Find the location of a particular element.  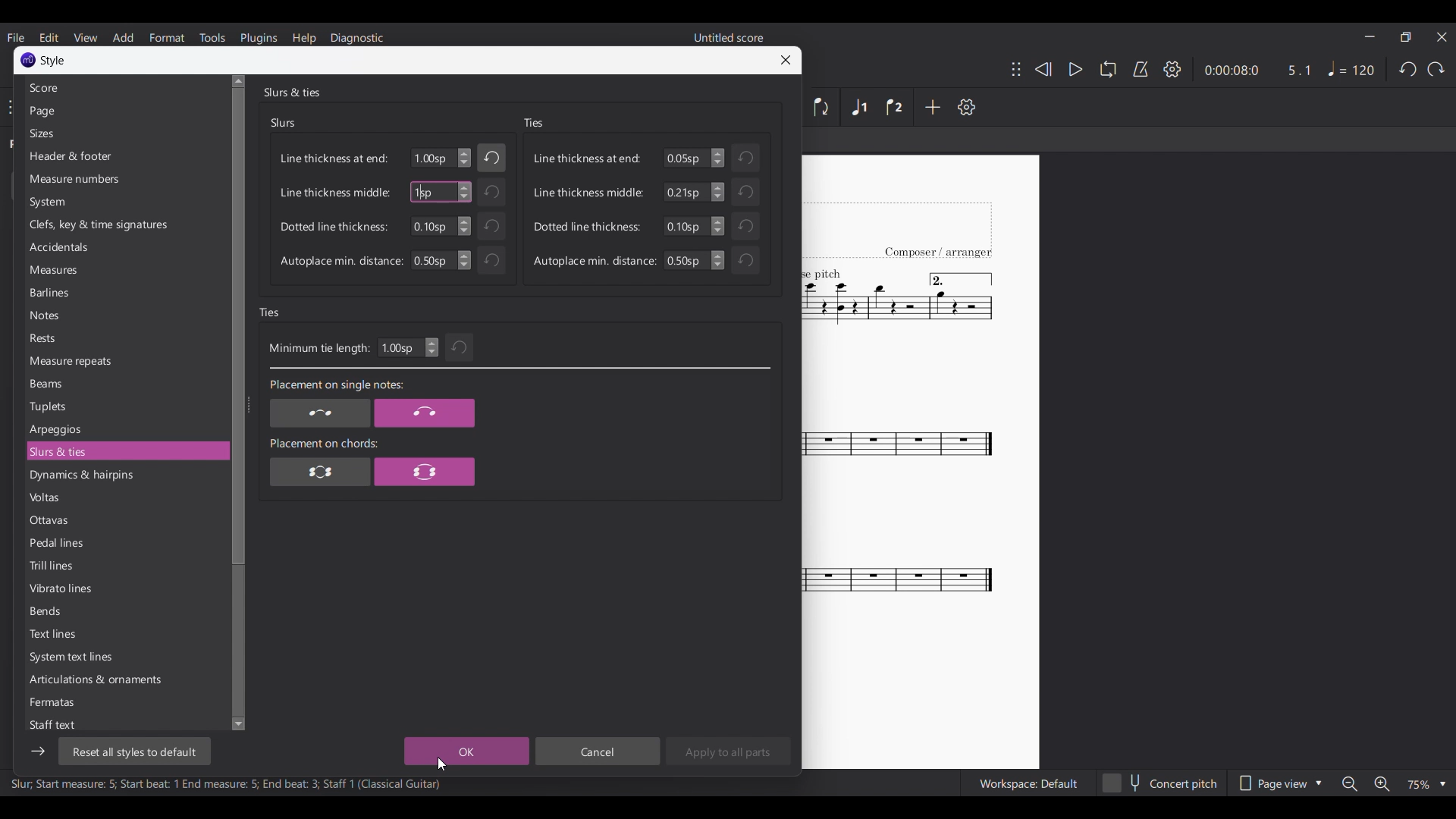

Placement on chord is located at coordinates (324, 443).